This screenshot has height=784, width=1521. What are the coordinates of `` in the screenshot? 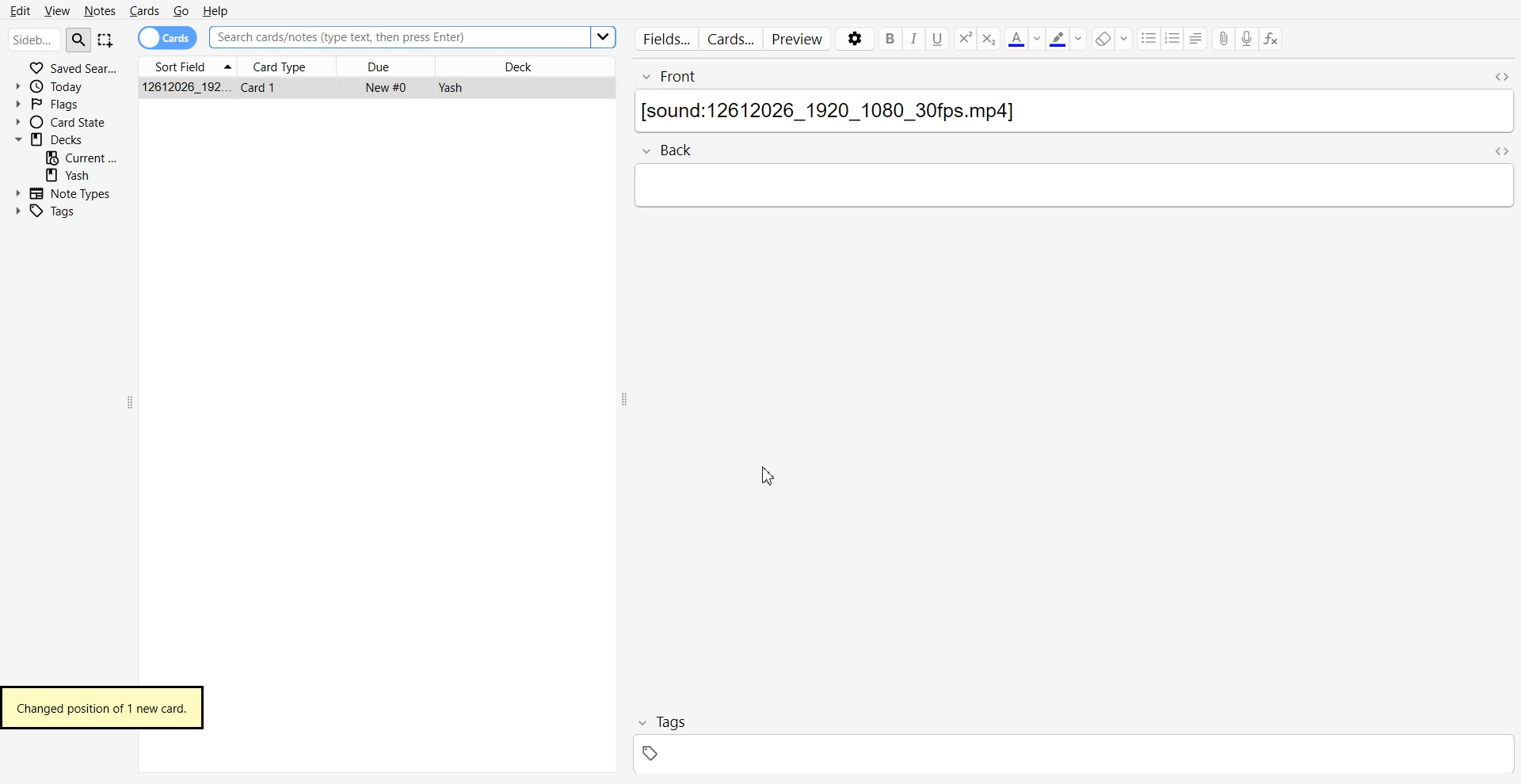 It's located at (604, 37).